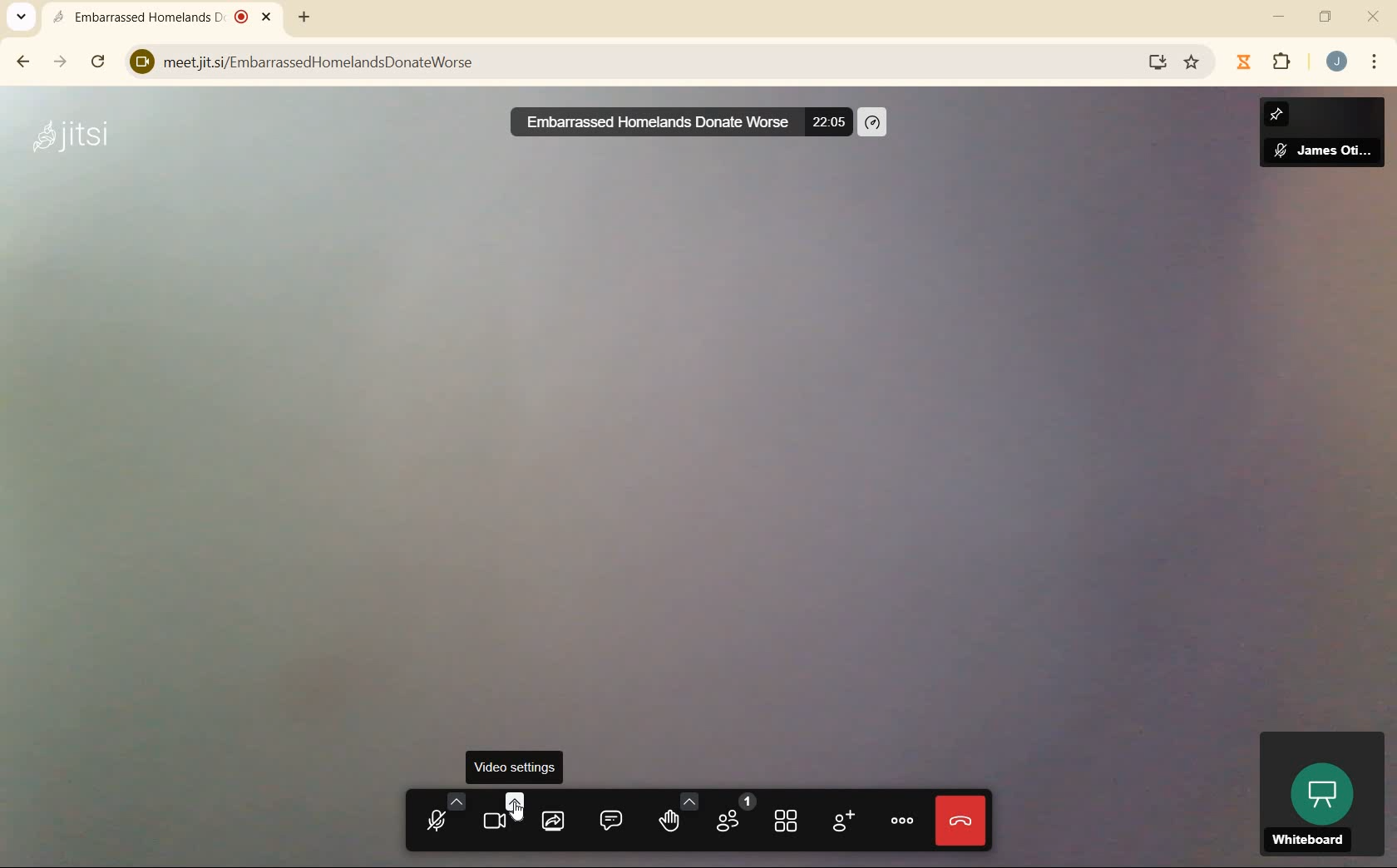 Image resolution: width=1397 pixels, height=868 pixels. Describe the element at coordinates (1191, 62) in the screenshot. I see `bookmark` at that location.